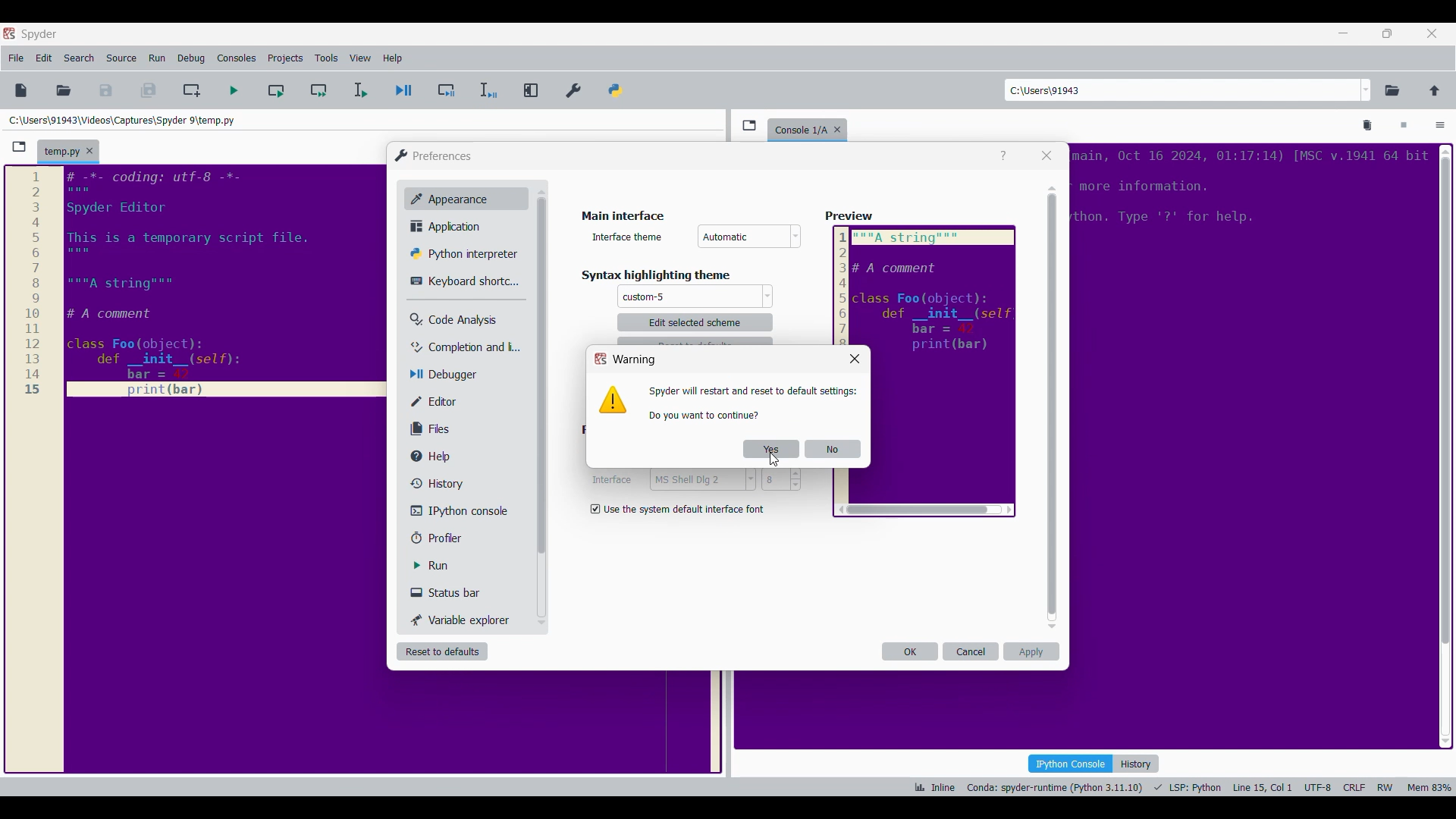  What do you see at coordinates (122, 121) in the screenshot?
I see `Folder location` at bounding box center [122, 121].